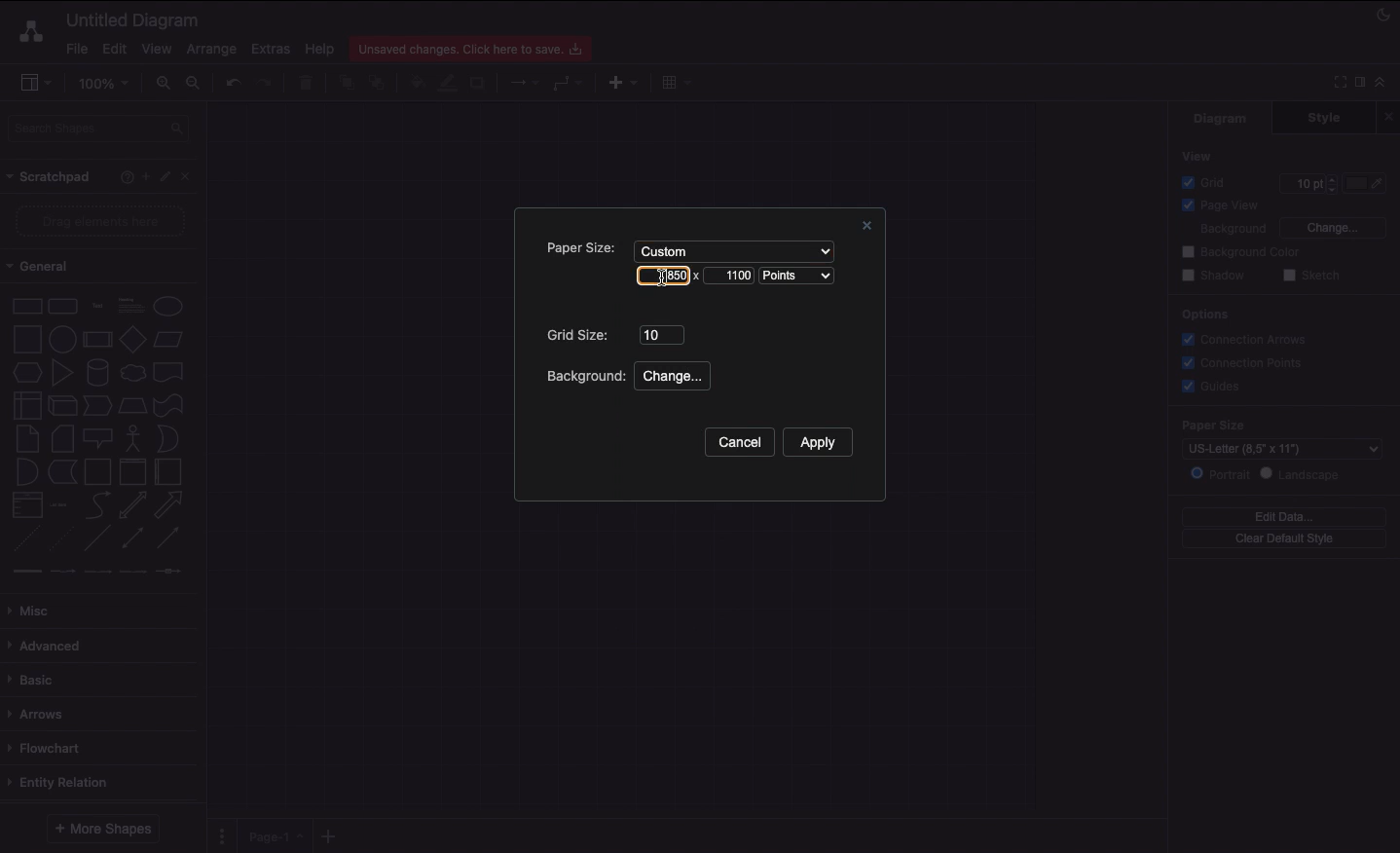 The image size is (1400, 853). Describe the element at coordinates (95, 571) in the screenshot. I see `connector 3` at that location.